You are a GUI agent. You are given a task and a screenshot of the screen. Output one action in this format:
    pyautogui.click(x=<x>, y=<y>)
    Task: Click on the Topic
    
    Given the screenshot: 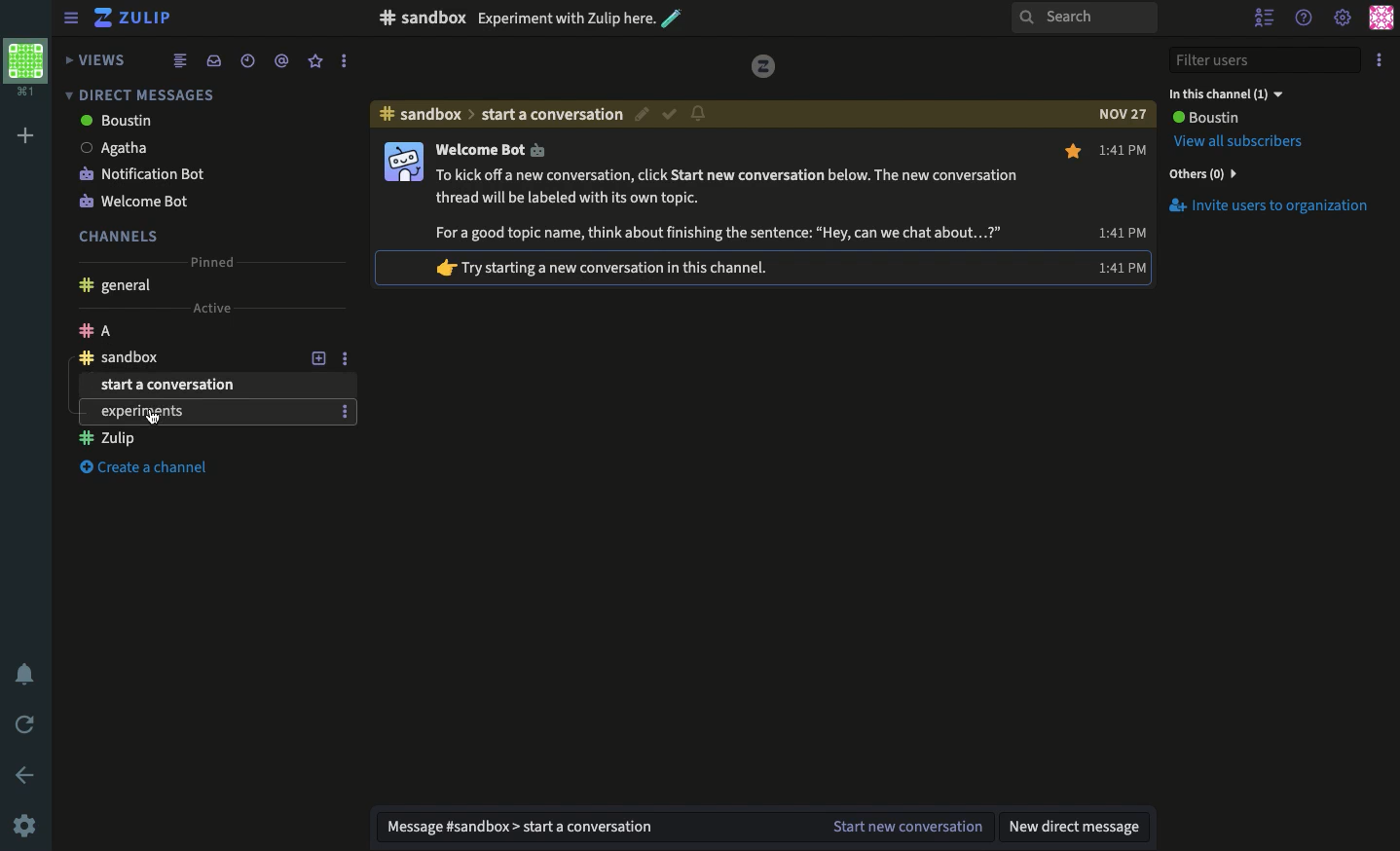 What is the action you would take?
    pyautogui.click(x=553, y=114)
    